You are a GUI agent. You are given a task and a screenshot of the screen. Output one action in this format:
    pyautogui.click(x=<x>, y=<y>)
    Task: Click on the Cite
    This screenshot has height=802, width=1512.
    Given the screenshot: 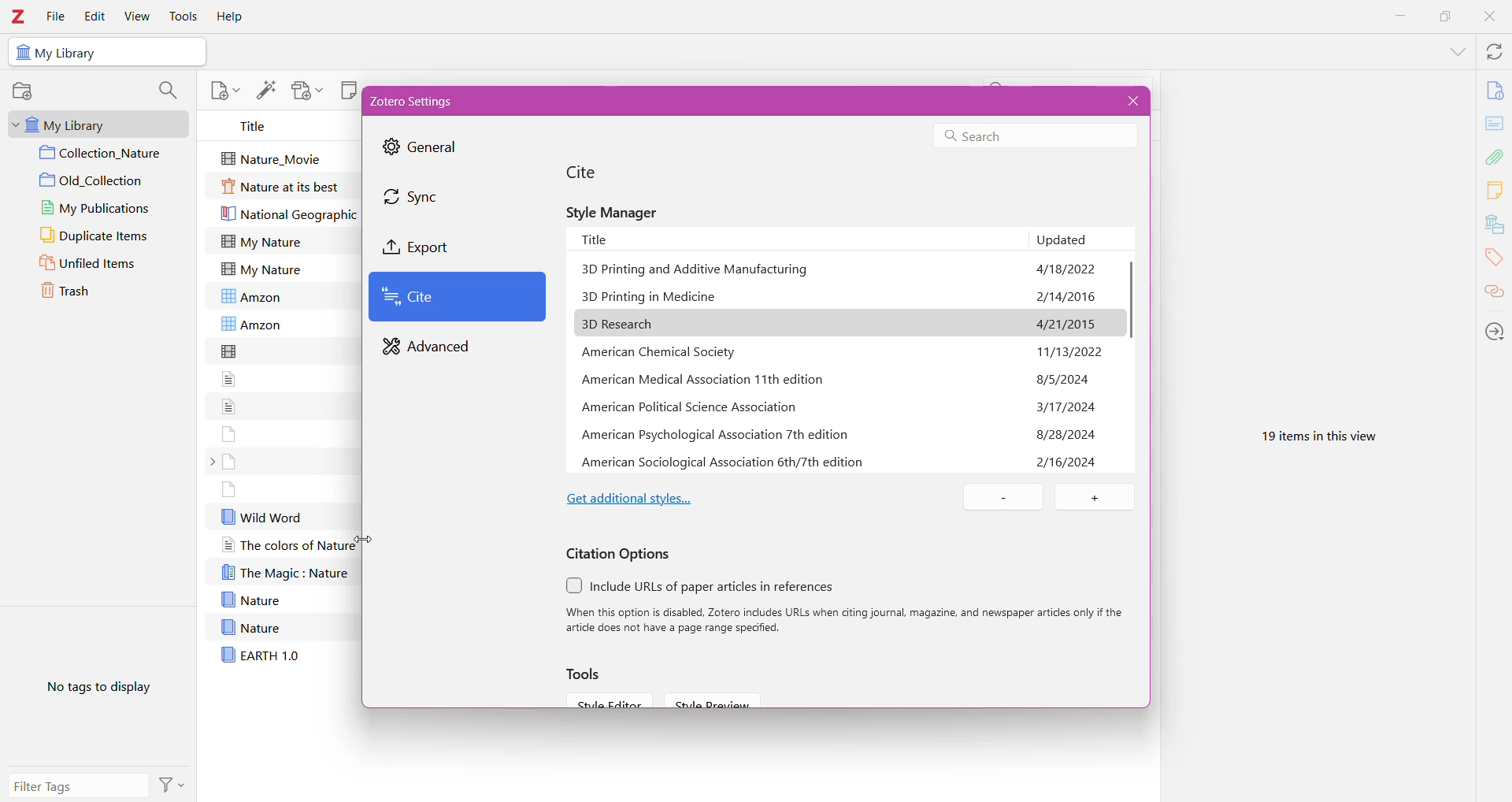 What is the action you would take?
    pyautogui.click(x=593, y=173)
    